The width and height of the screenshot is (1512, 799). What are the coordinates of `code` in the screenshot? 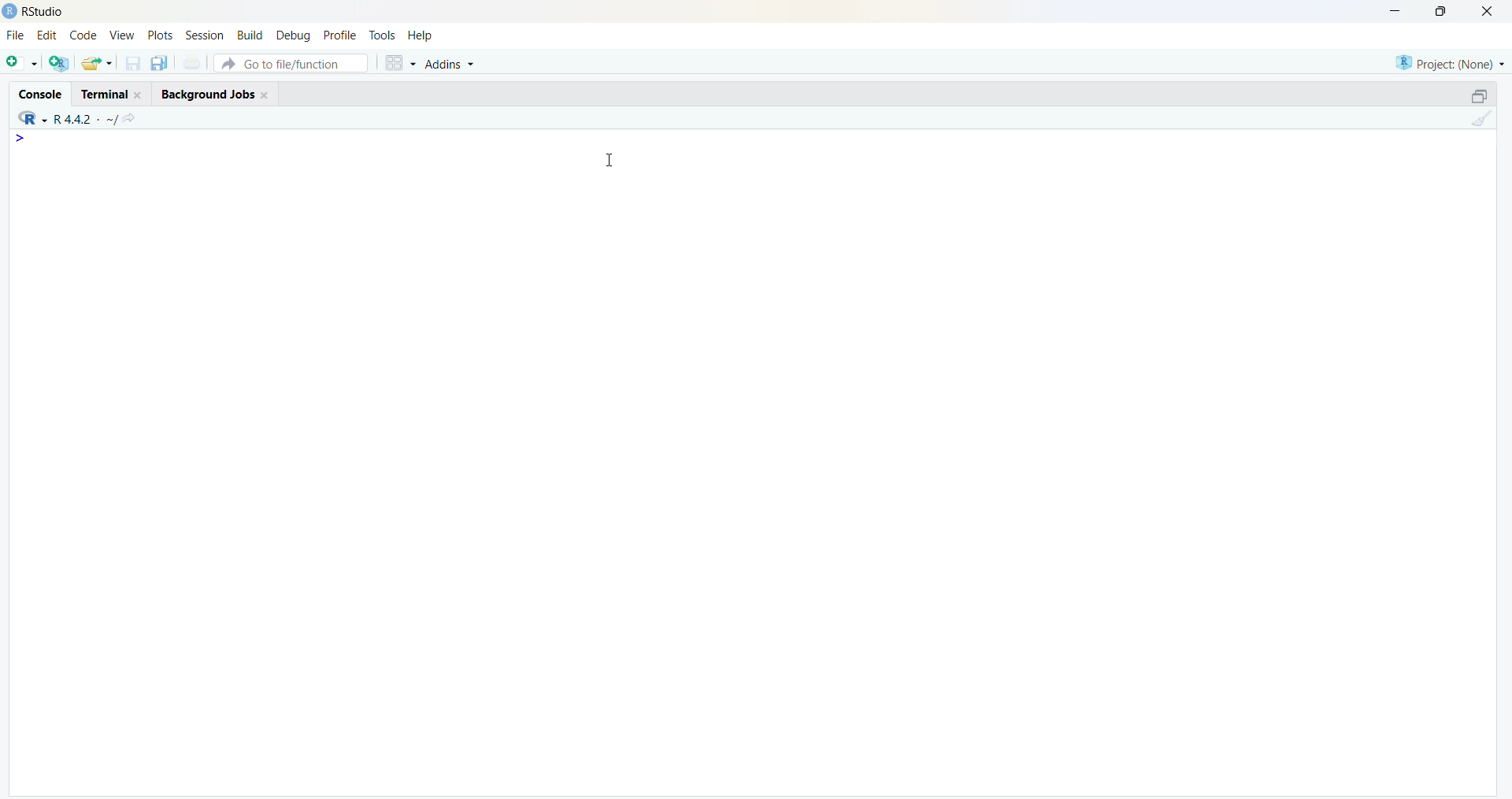 It's located at (83, 35).